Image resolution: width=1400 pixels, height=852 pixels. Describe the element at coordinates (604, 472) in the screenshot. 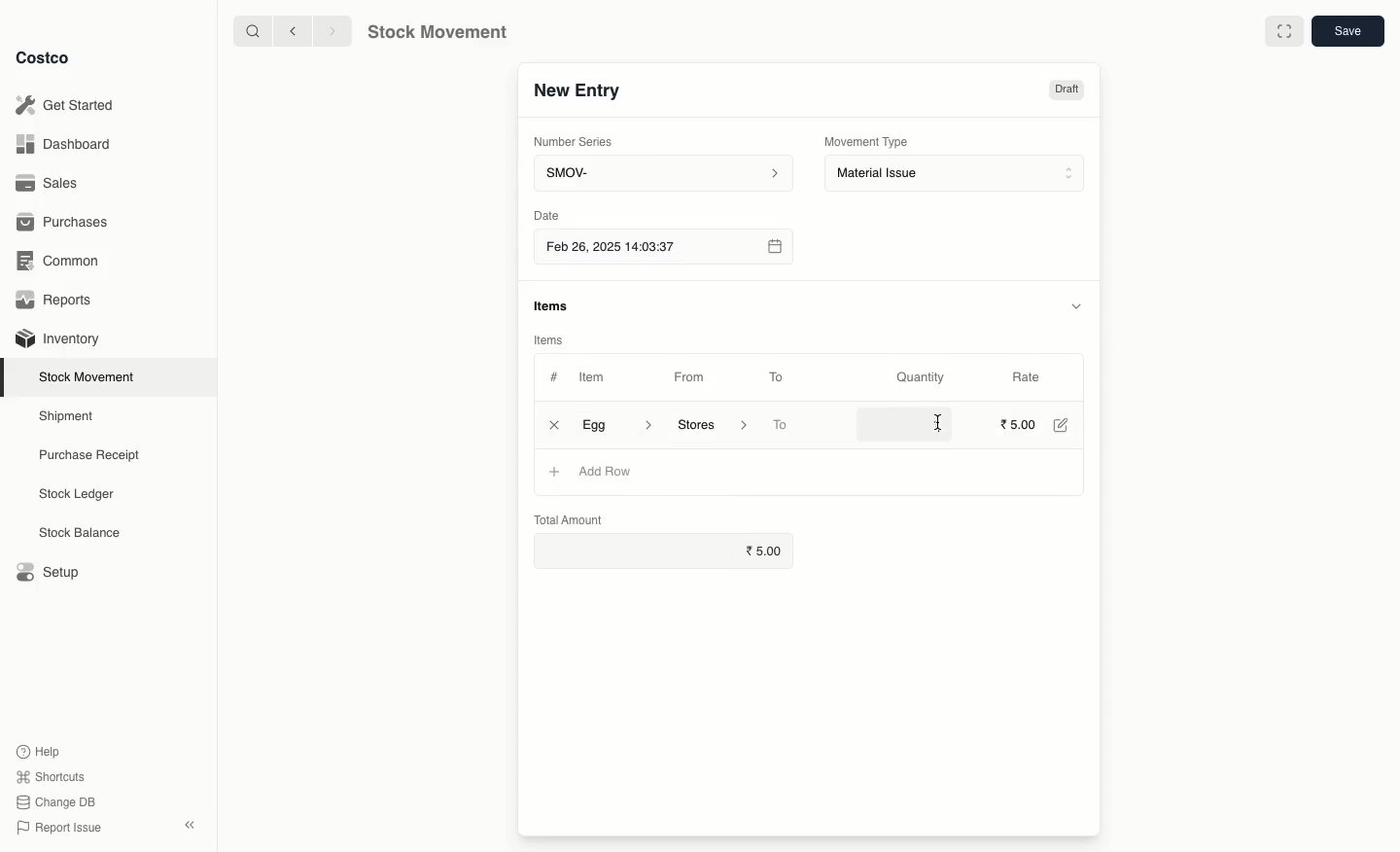

I see `Add row` at that location.